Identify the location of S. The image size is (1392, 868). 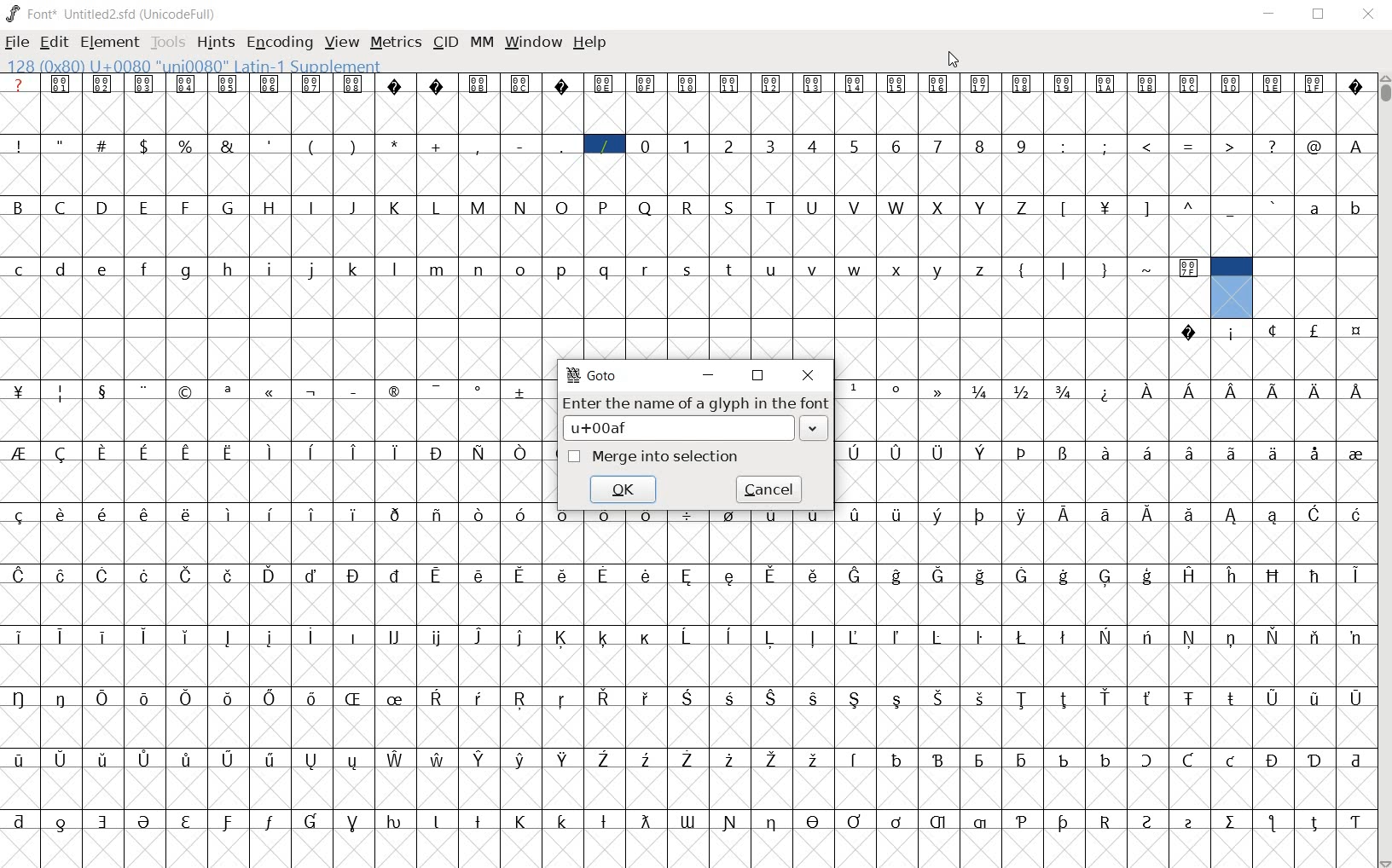
(730, 208).